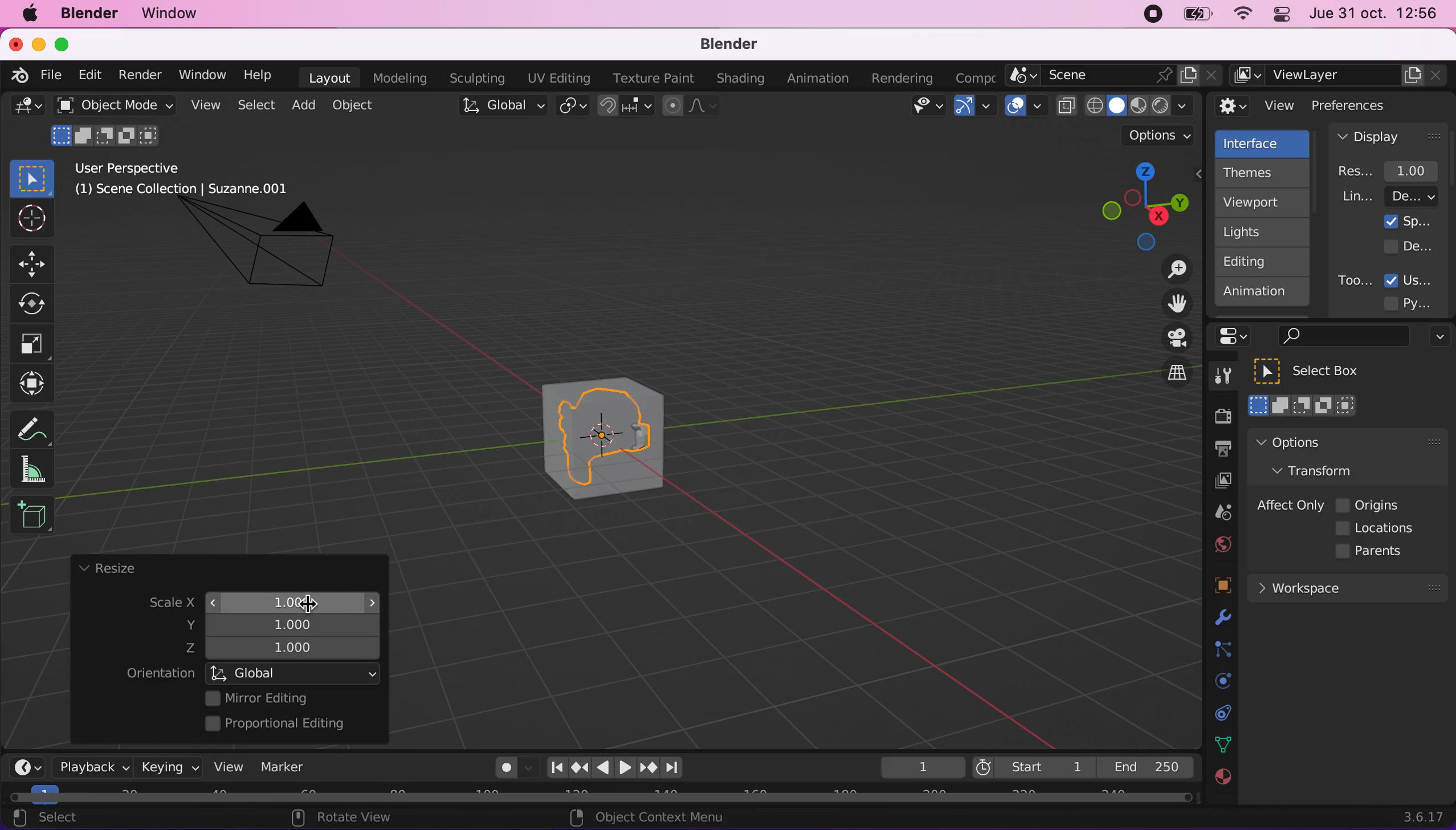 The image size is (1456, 830). I want to click on global, so click(500, 108).